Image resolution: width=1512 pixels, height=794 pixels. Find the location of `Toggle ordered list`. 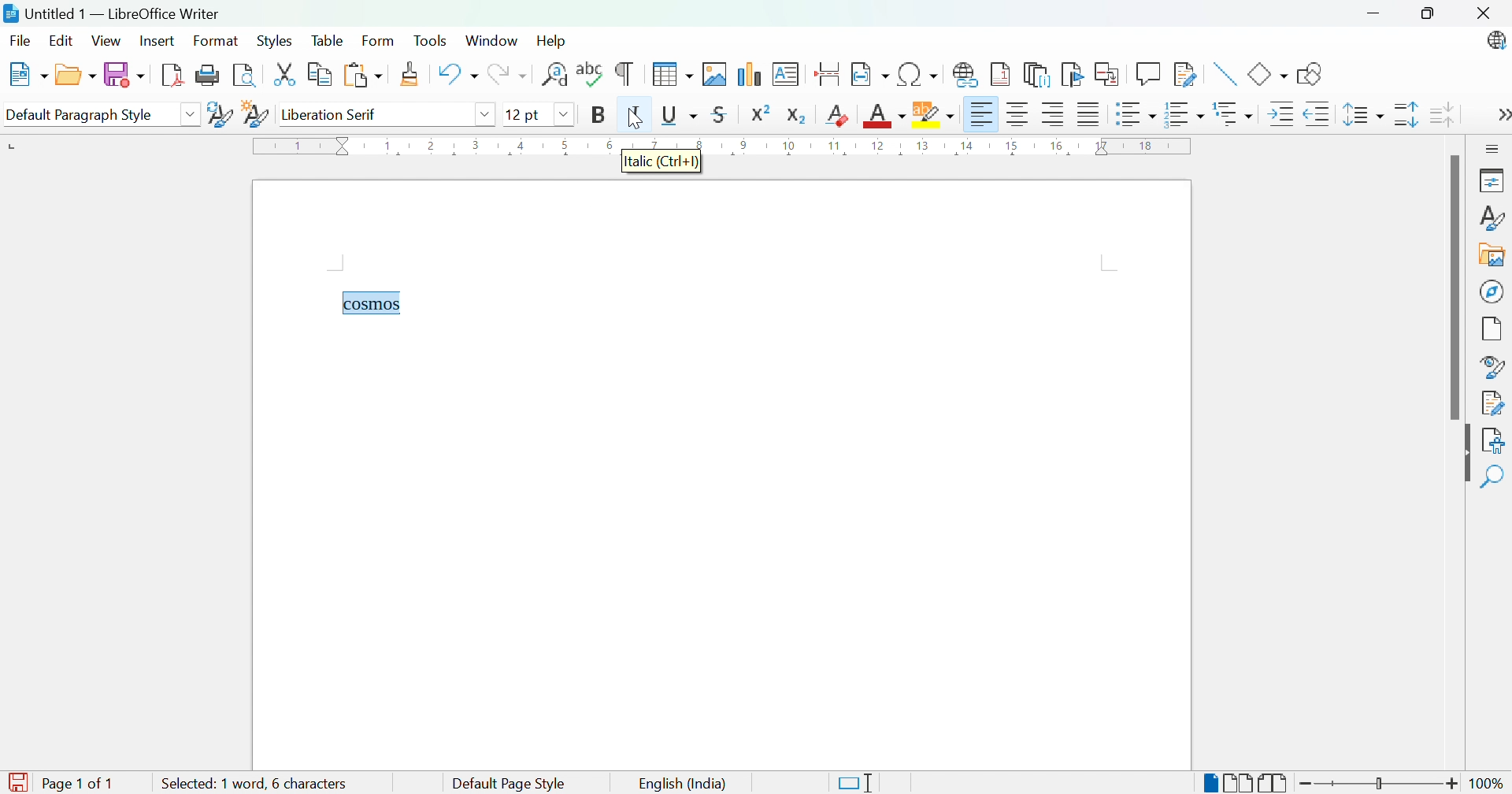

Toggle ordered list is located at coordinates (1185, 115).